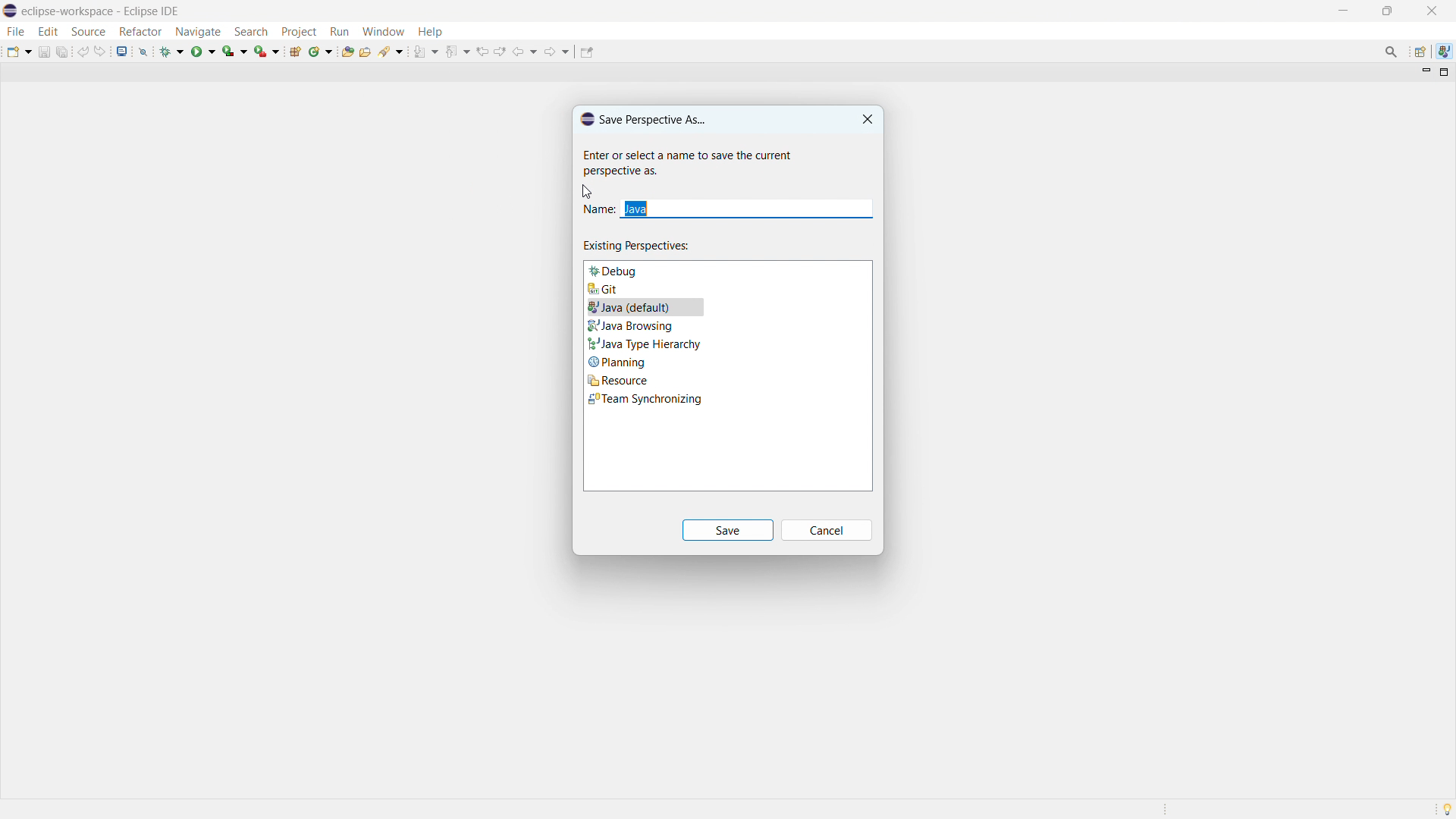  What do you see at coordinates (1344, 10) in the screenshot?
I see `minimize` at bounding box center [1344, 10].